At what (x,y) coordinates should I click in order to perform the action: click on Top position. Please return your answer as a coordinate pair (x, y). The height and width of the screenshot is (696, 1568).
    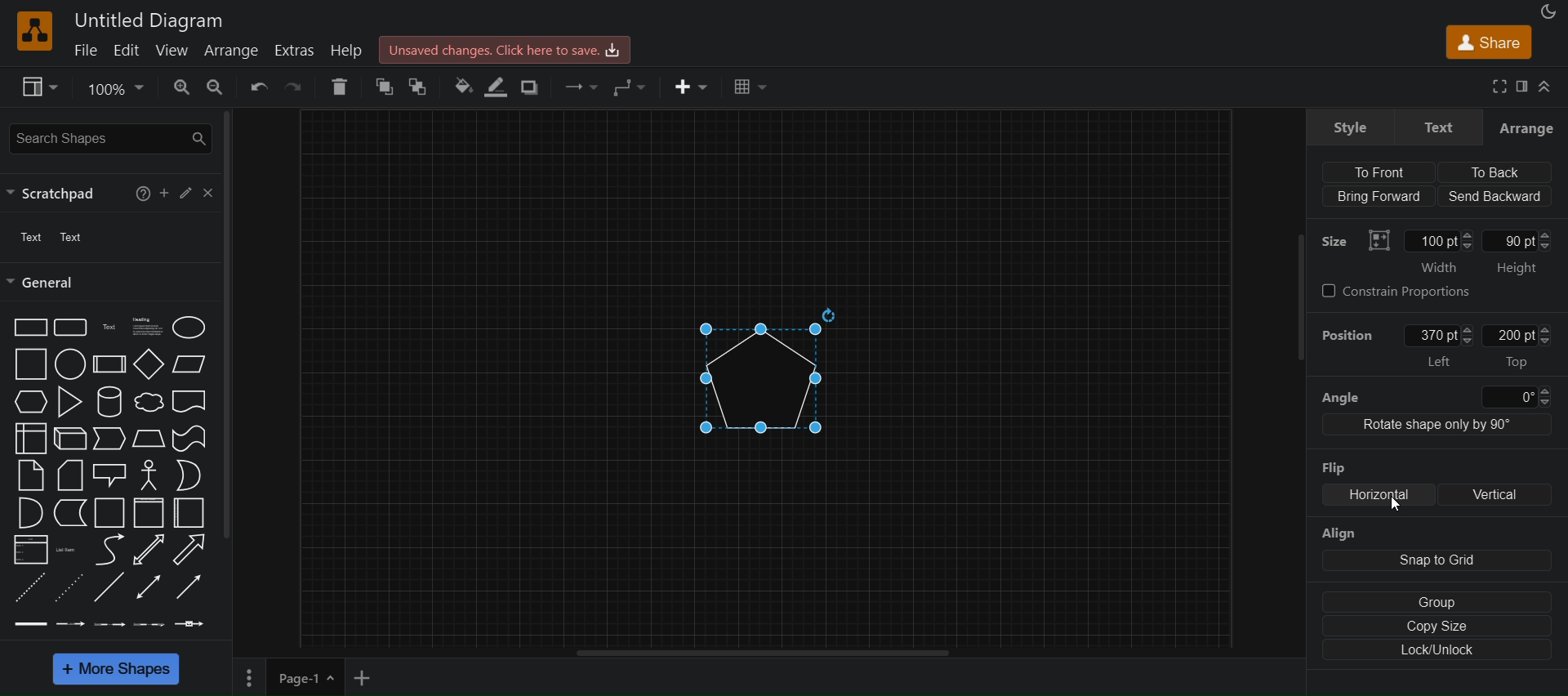
    Looking at the image, I should click on (1517, 363).